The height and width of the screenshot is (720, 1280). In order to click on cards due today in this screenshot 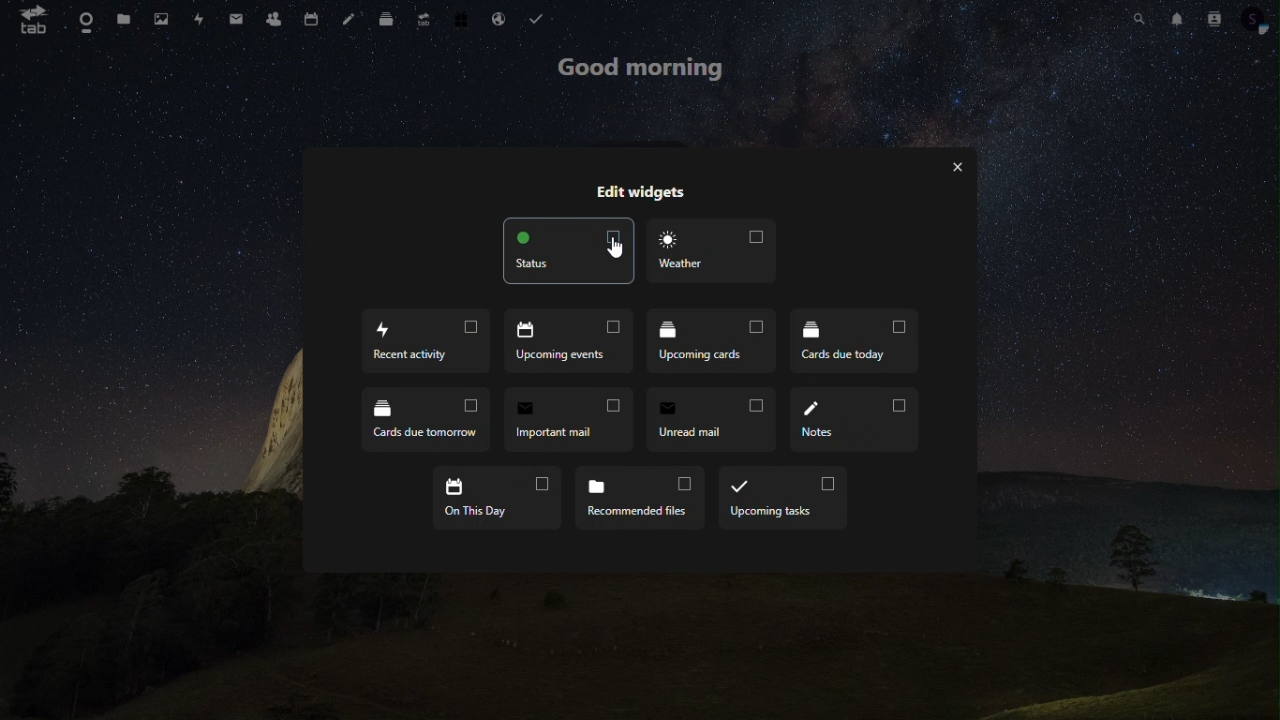, I will do `click(856, 342)`.